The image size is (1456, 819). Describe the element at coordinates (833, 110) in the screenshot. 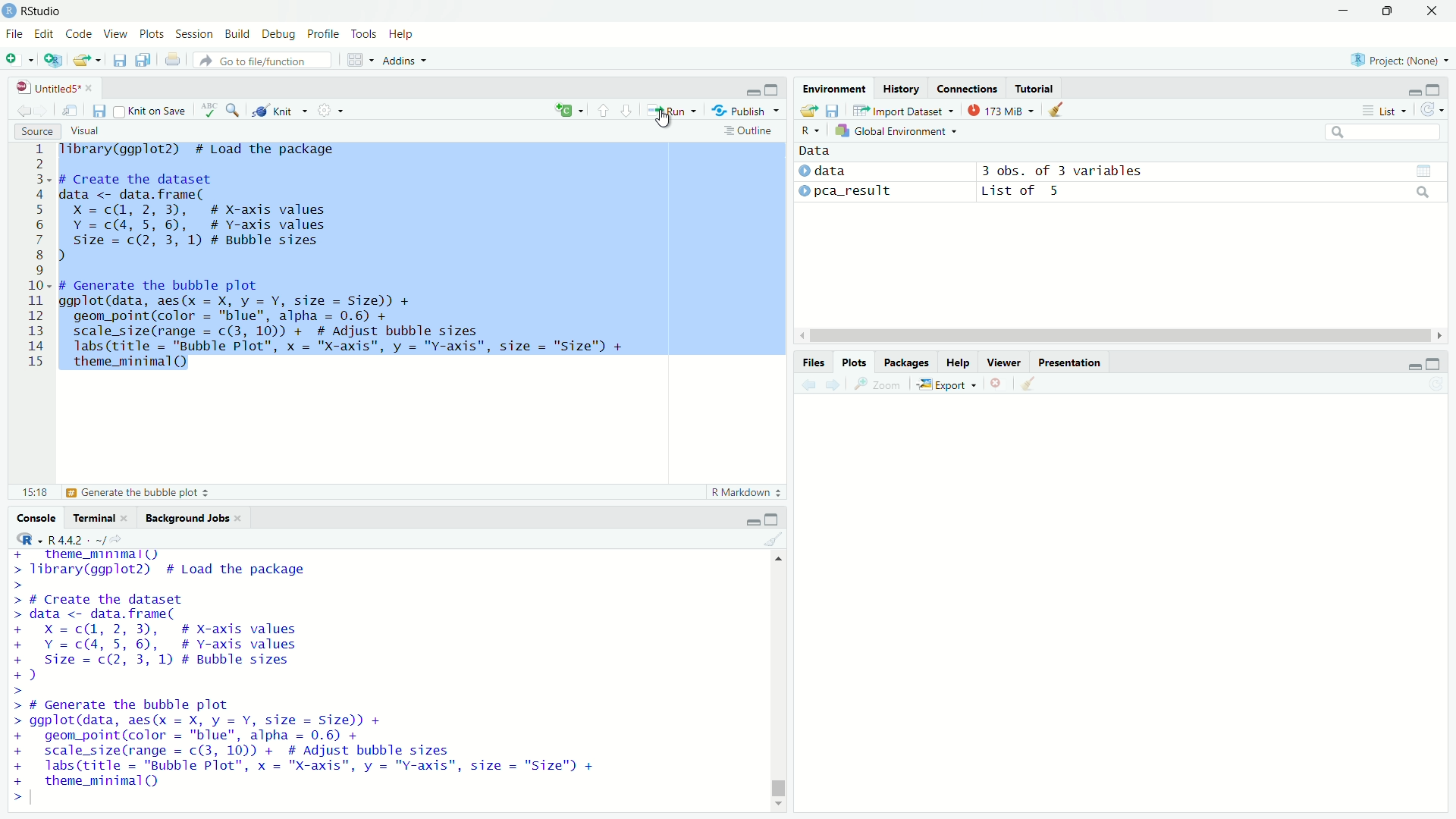

I see `save workspace as` at that location.